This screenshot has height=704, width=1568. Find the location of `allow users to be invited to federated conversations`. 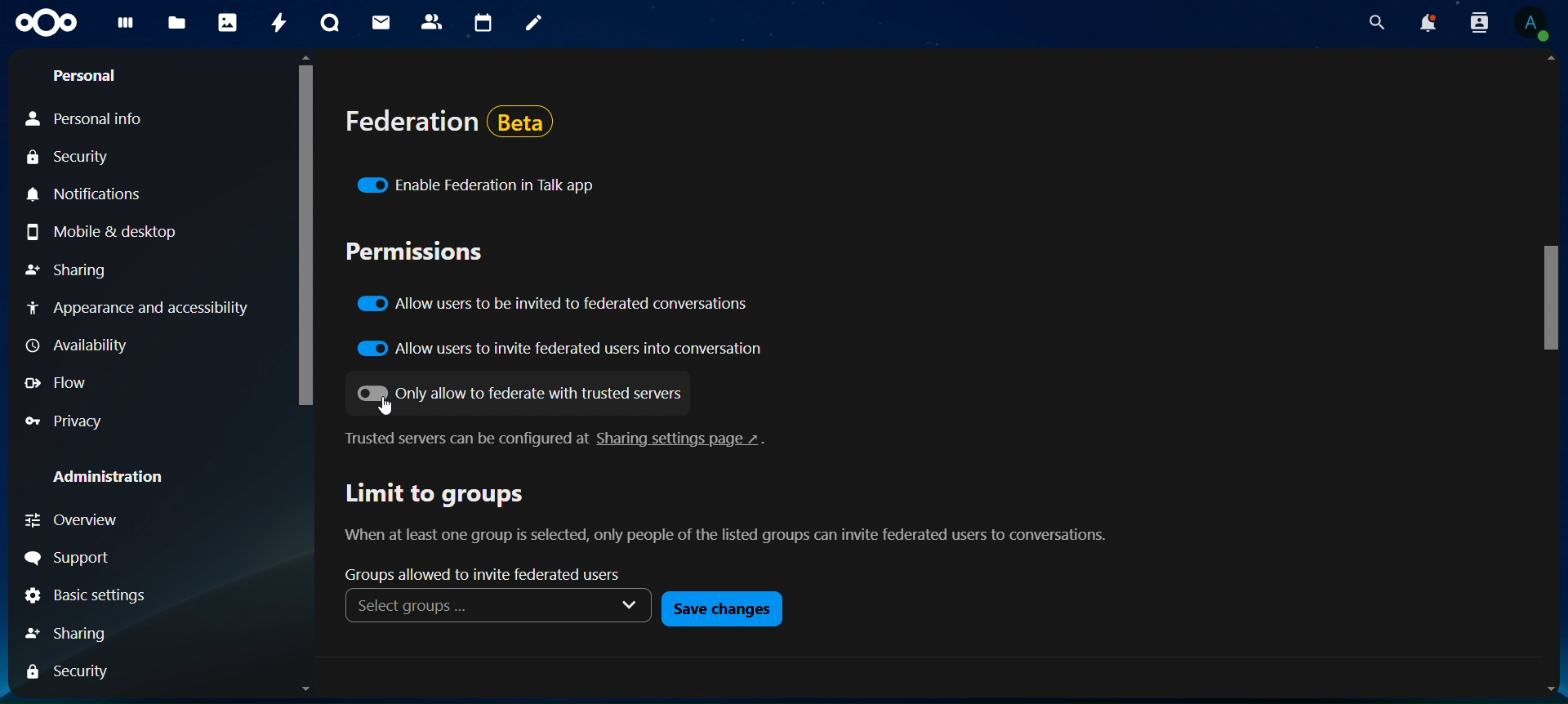

allow users to be invited to federated conversations is located at coordinates (558, 305).